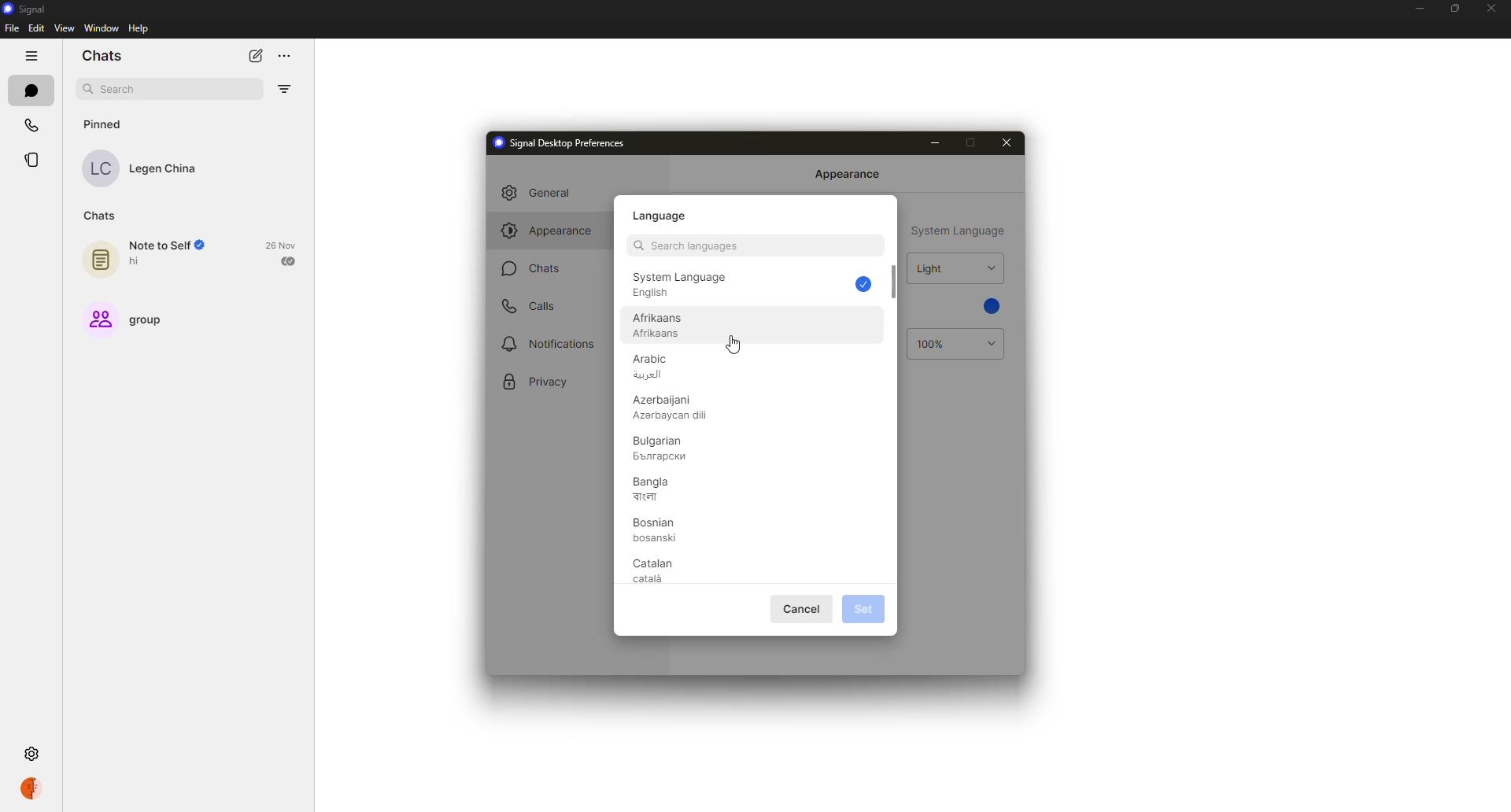  I want to click on note to self, so click(150, 255).